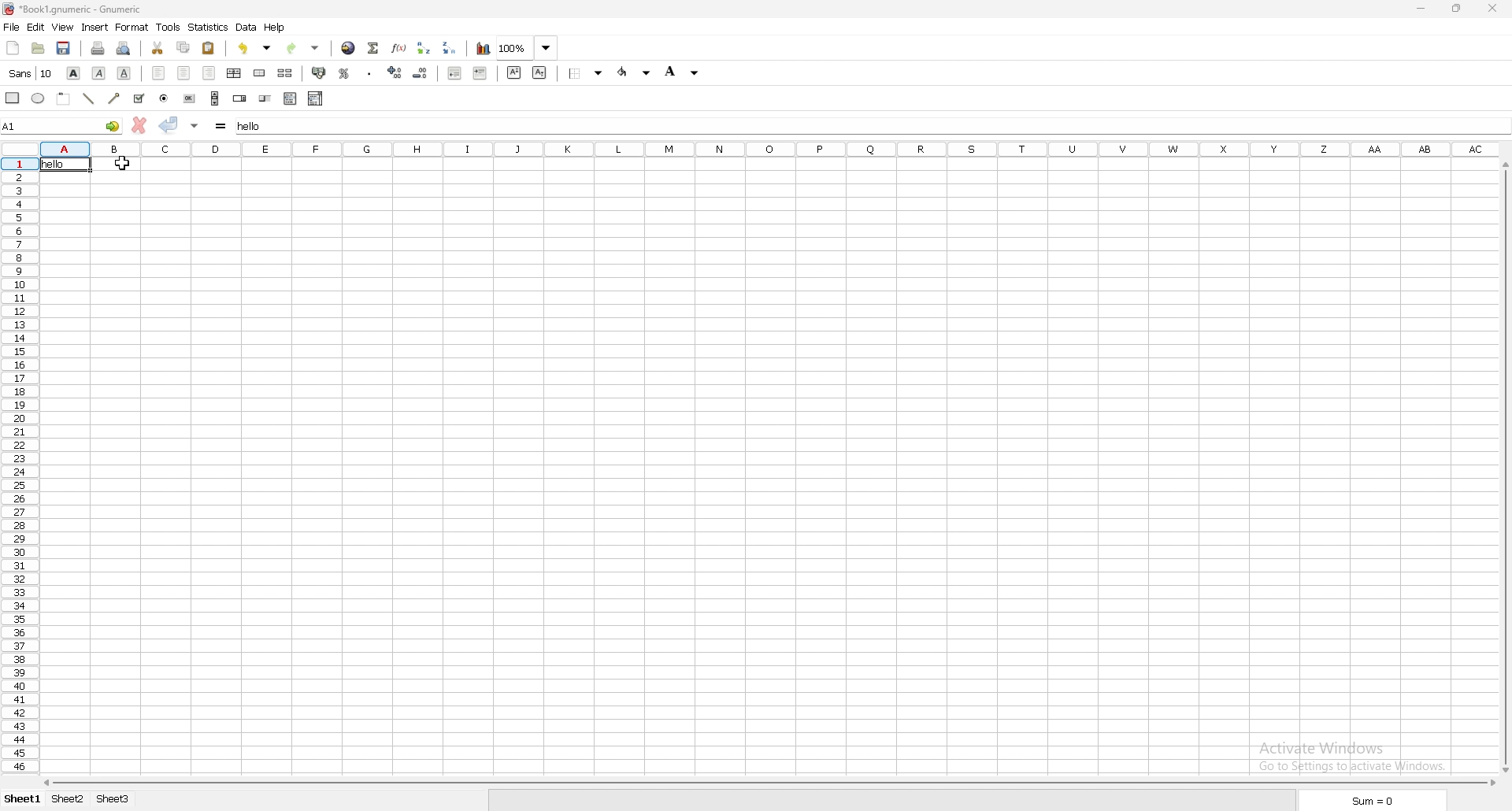 The width and height of the screenshot is (1512, 811). I want to click on increase indent, so click(480, 73).